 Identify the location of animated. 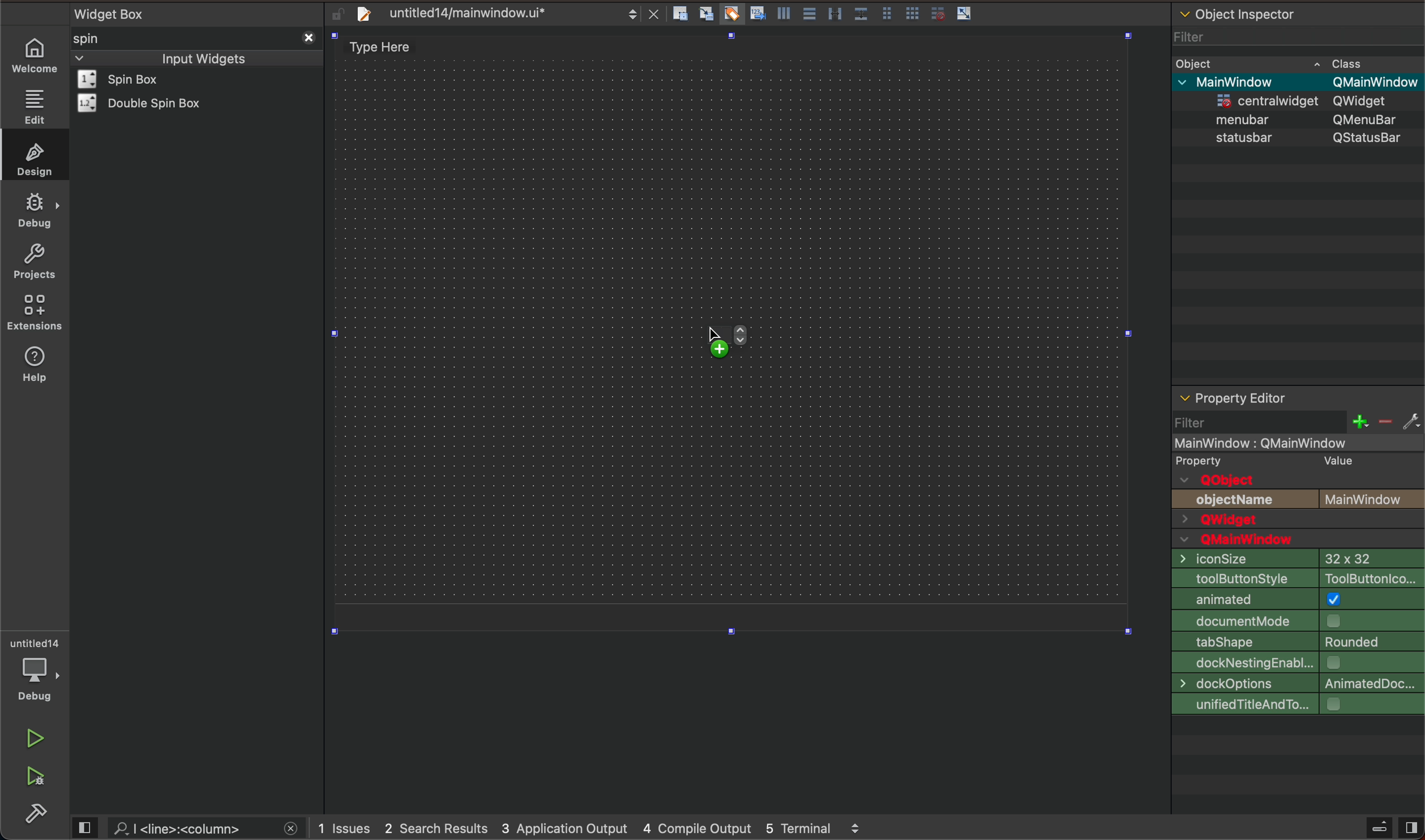
(1298, 599).